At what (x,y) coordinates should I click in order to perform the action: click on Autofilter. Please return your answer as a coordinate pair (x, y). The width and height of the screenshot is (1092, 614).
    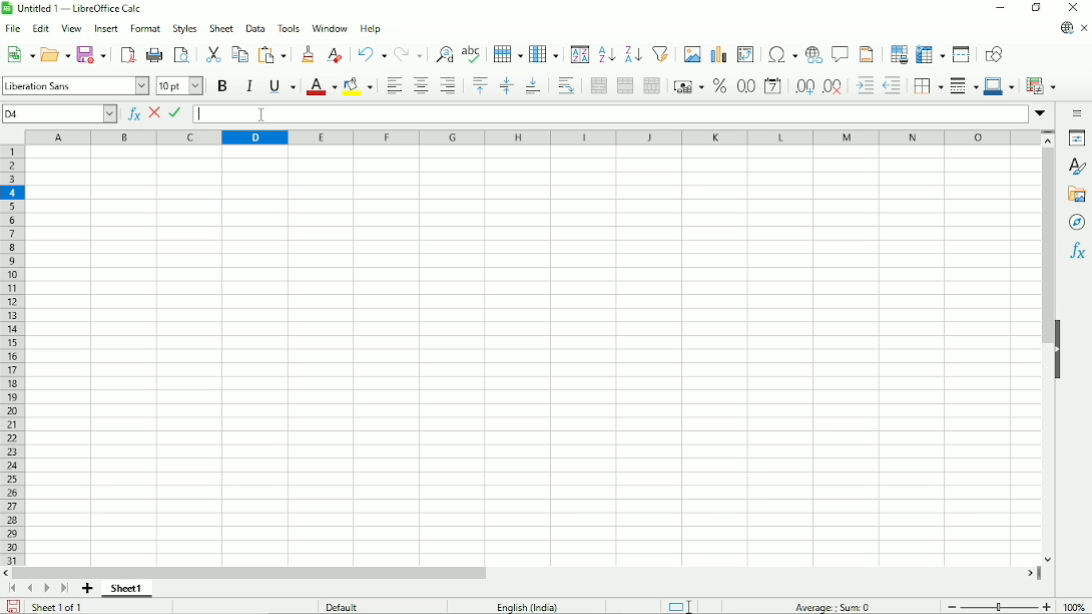
    Looking at the image, I should click on (661, 53).